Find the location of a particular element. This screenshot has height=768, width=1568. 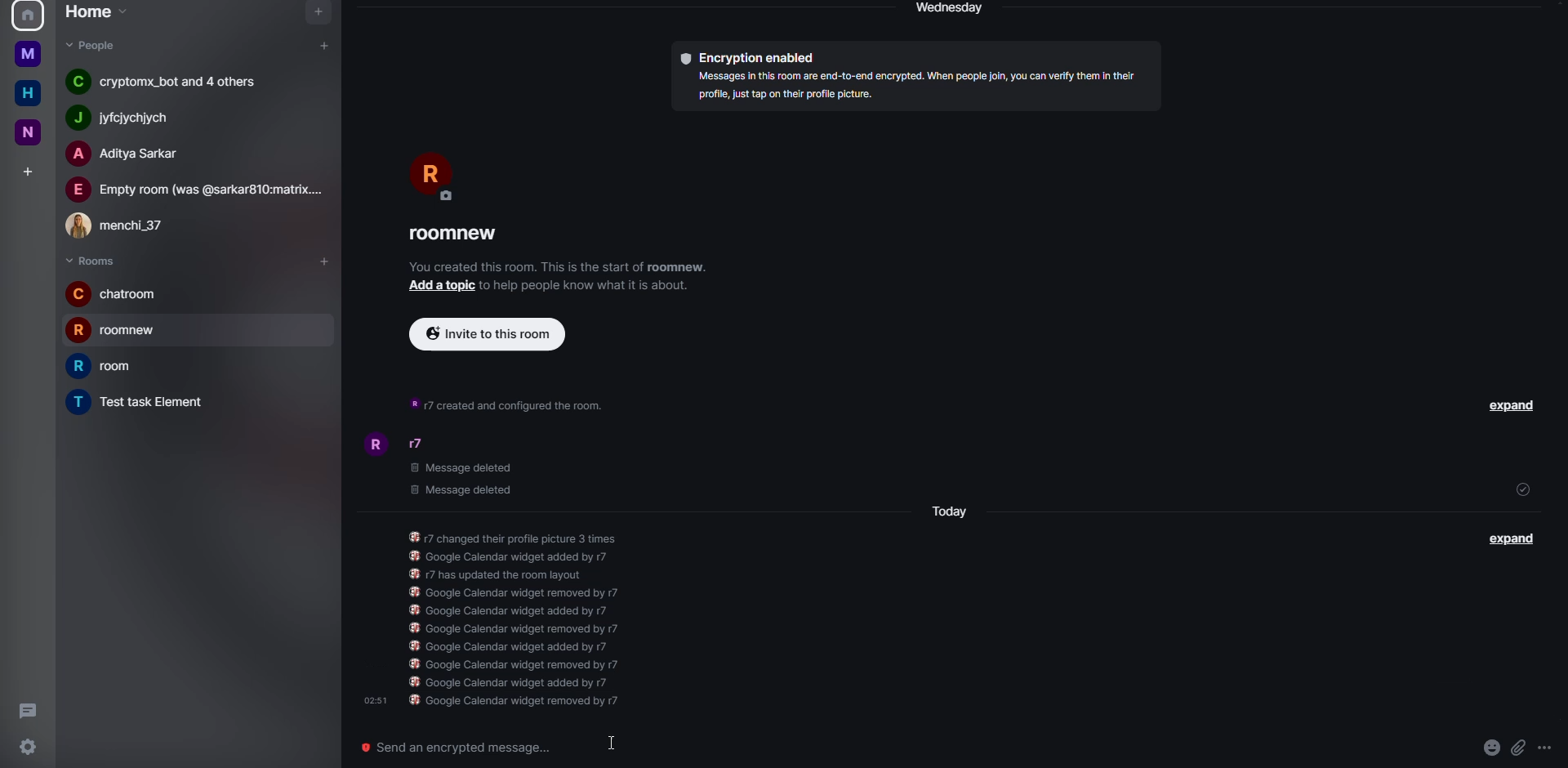

profile is located at coordinates (432, 175).